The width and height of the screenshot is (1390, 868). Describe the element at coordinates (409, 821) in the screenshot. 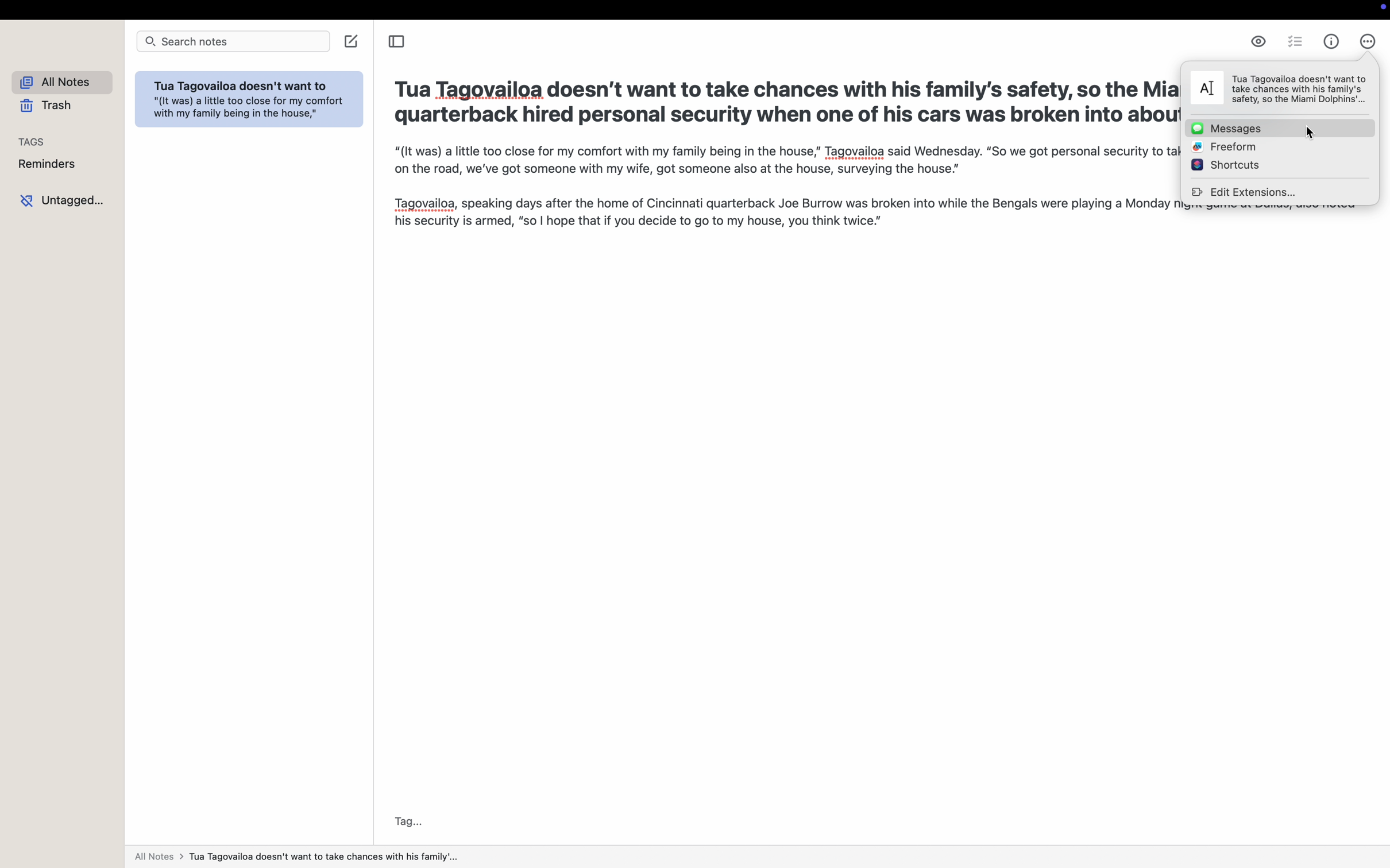

I see `tag` at that location.